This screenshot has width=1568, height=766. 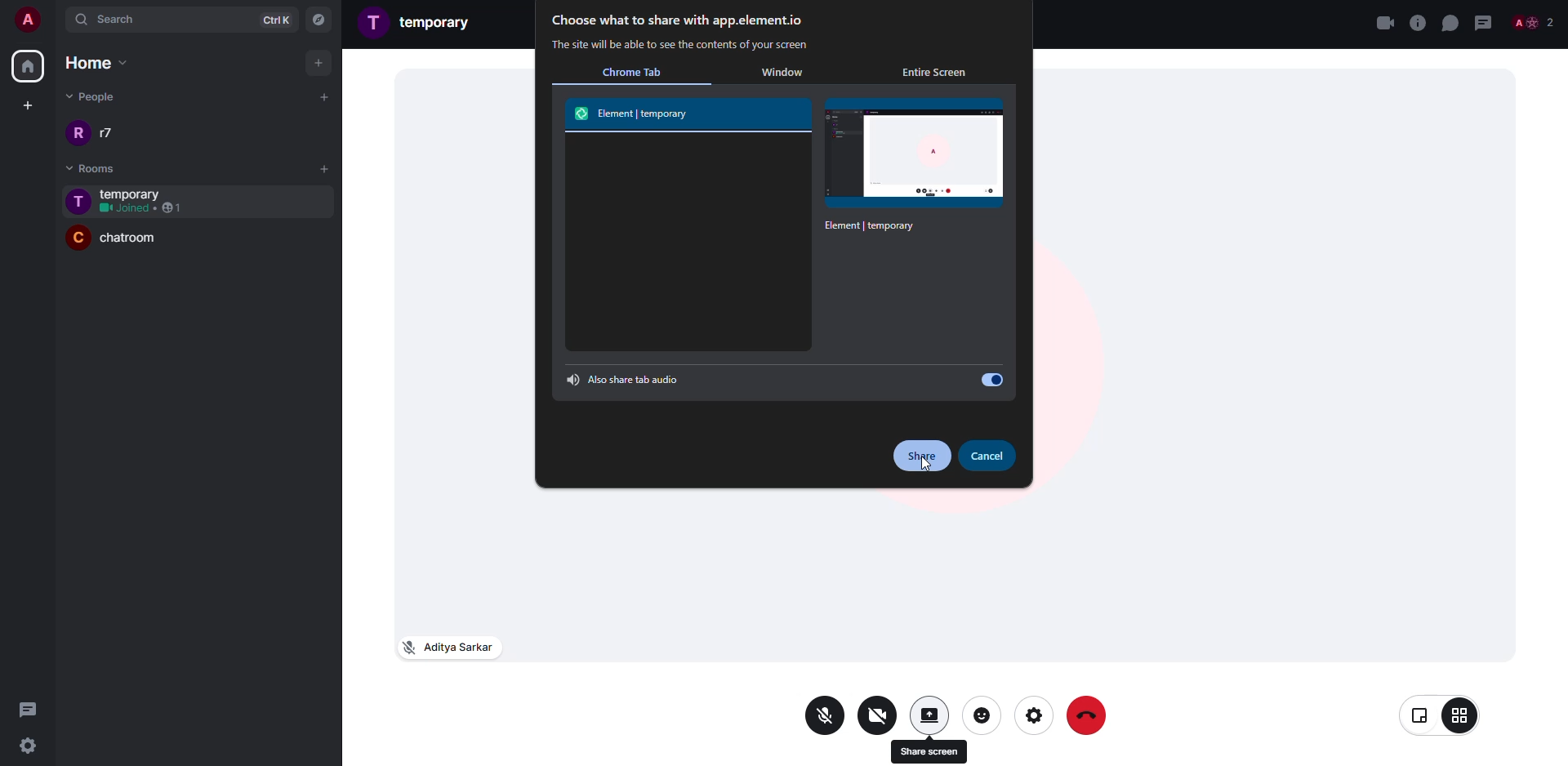 I want to click on reaction, so click(x=982, y=714).